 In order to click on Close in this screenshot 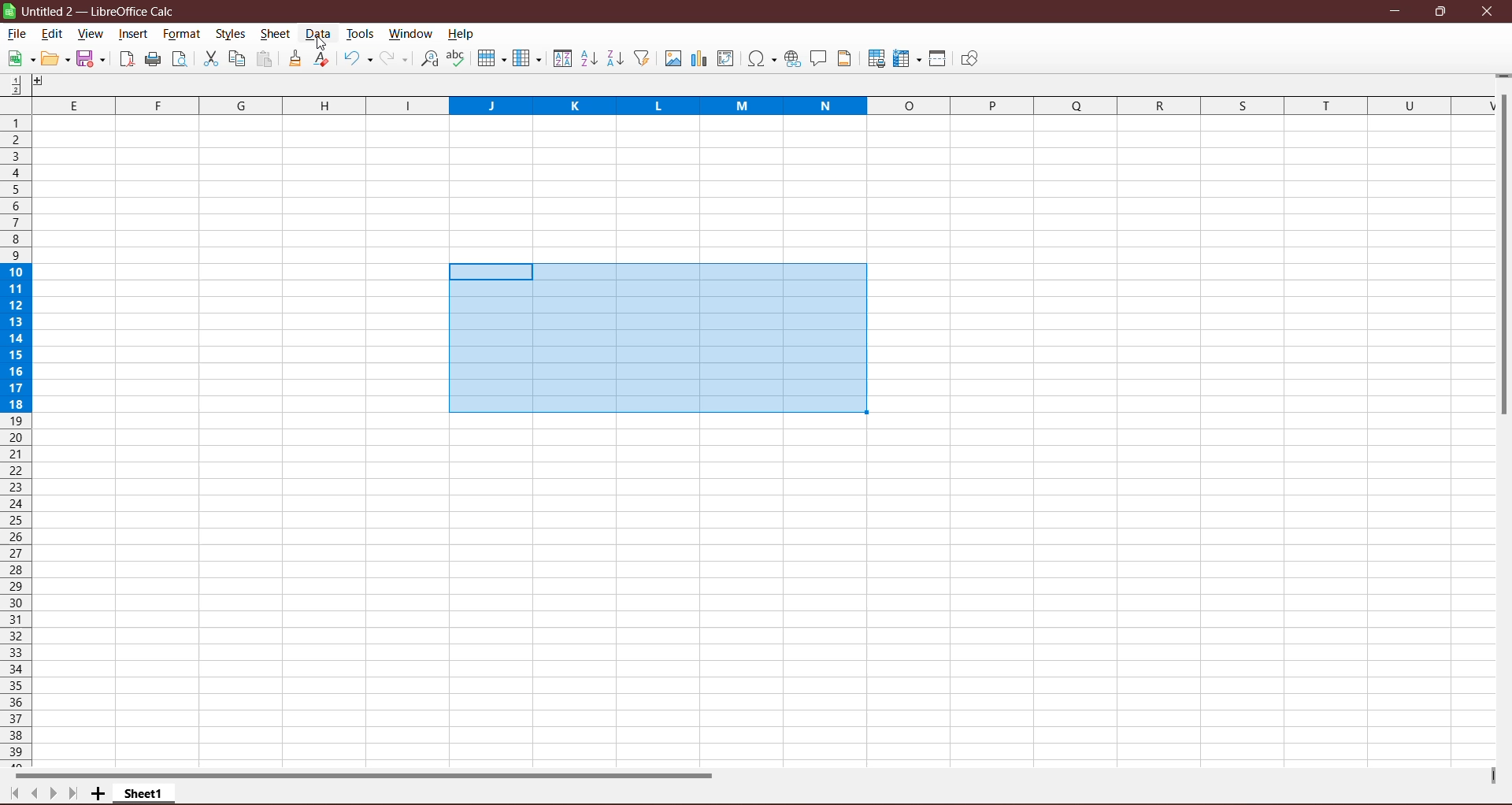, I will do `click(1488, 12)`.